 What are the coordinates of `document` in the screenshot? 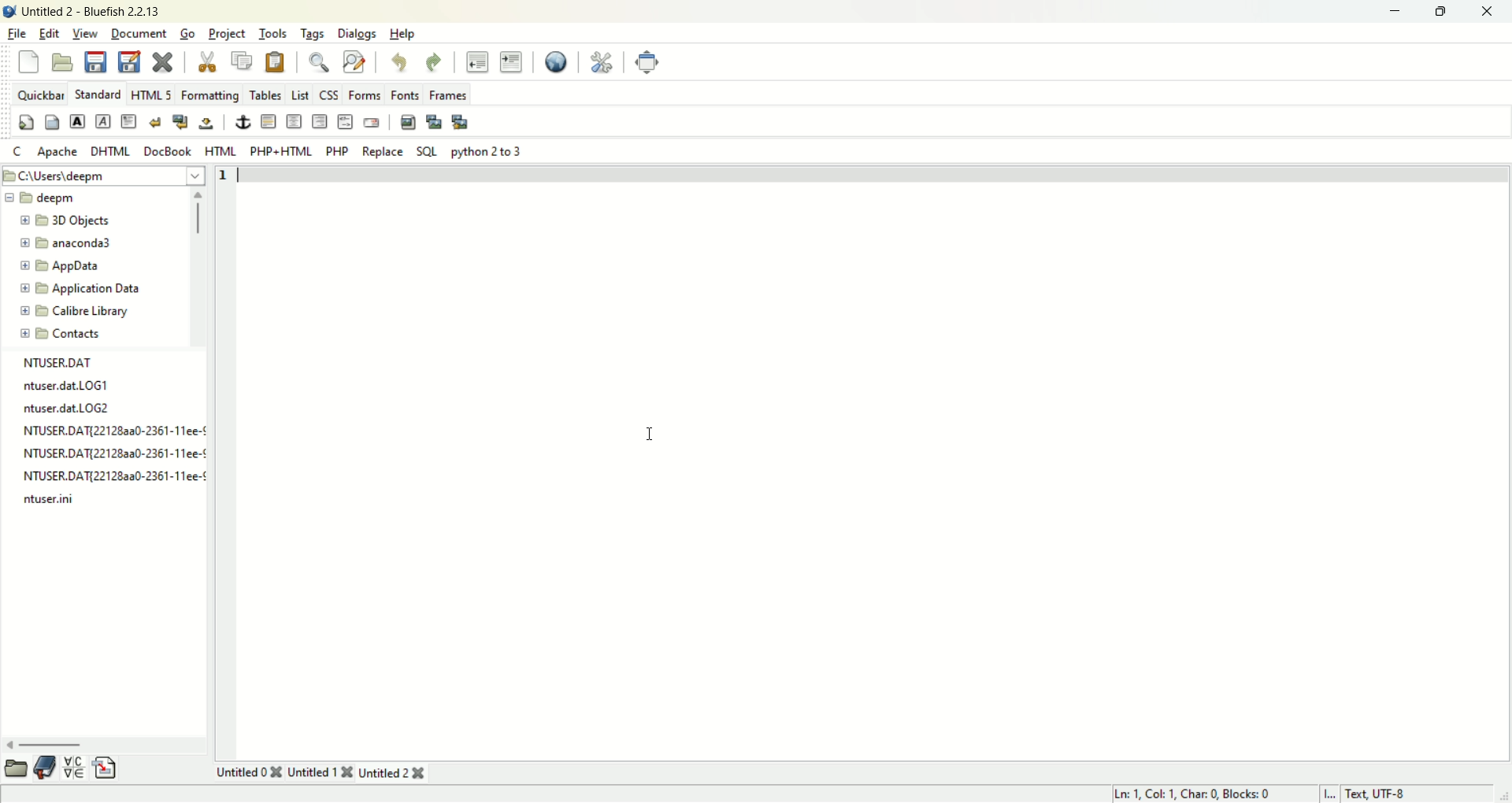 It's located at (141, 32).